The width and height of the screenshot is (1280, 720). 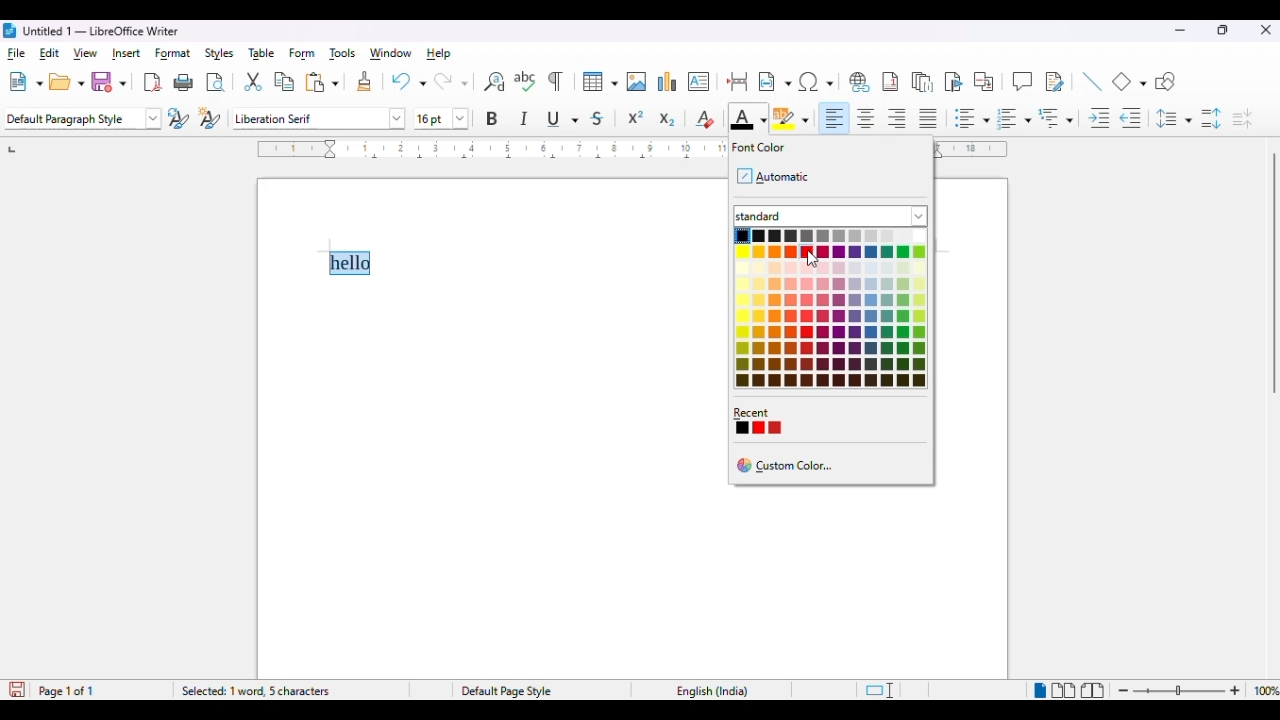 What do you see at coordinates (890, 82) in the screenshot?
I see `insert footnote` at bounding box center [890, 82].